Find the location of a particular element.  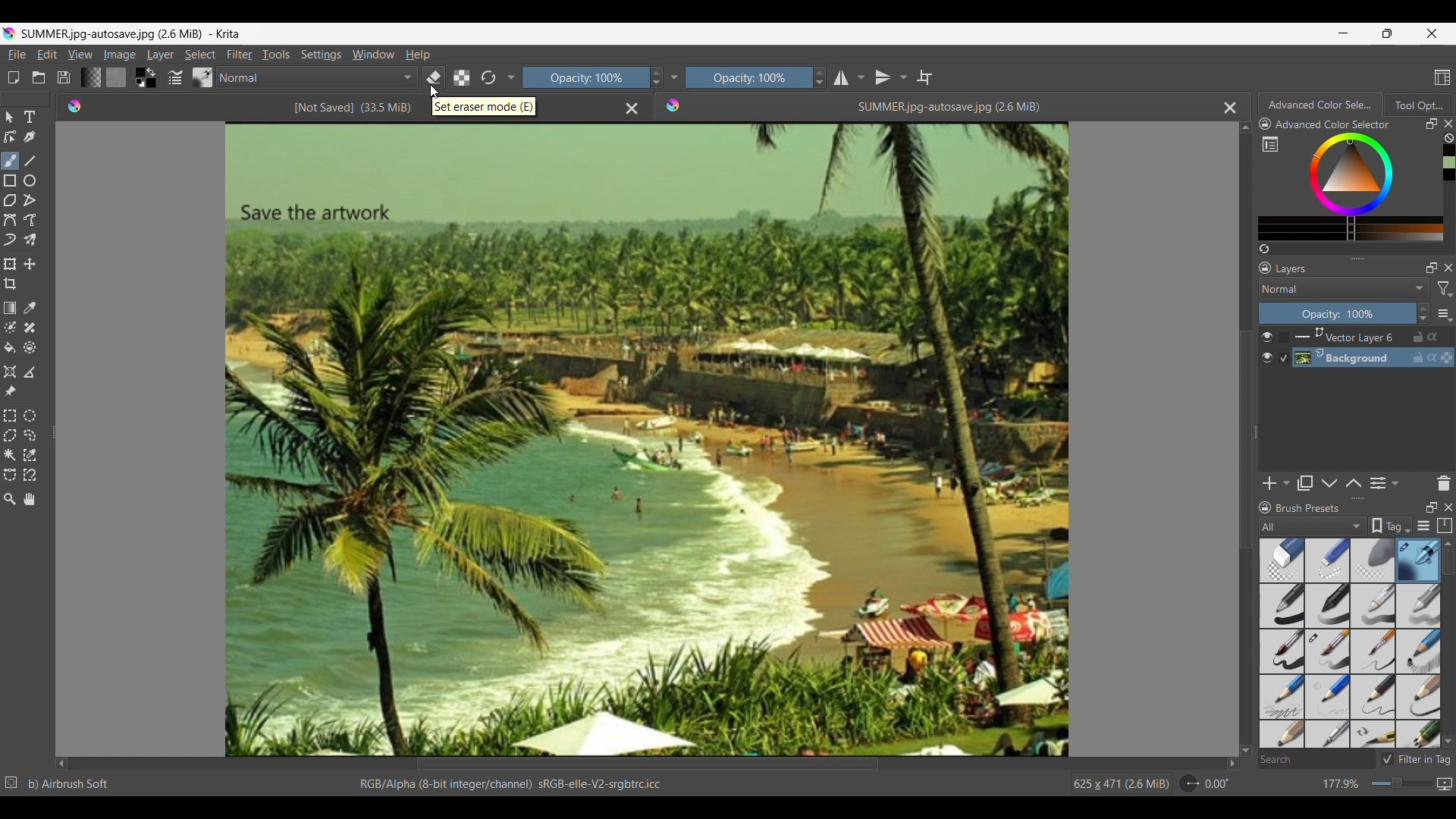

Image is located at coordinates (119, 55).